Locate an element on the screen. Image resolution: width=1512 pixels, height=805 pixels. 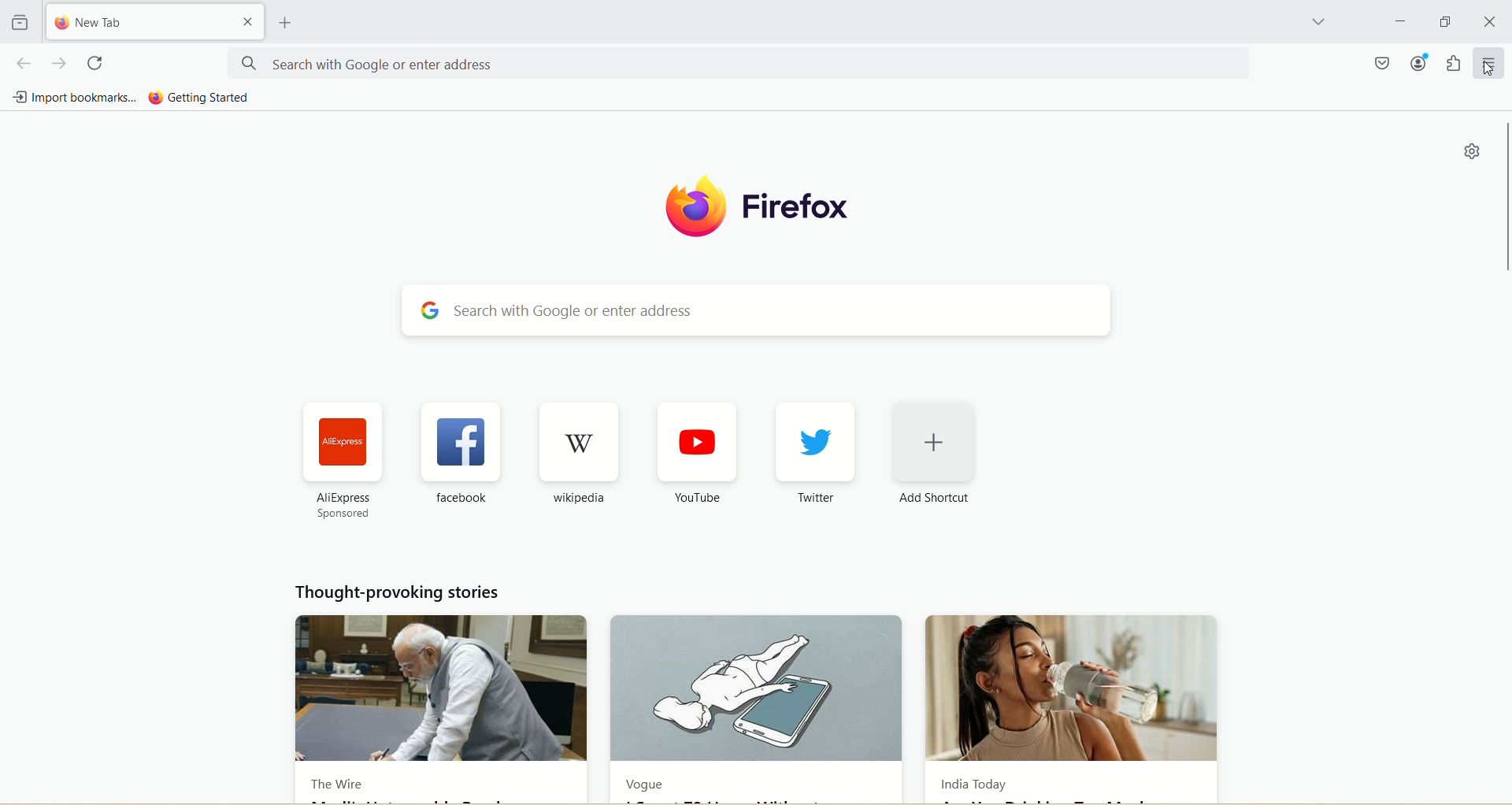
reload current page is located at coordinates (98, 63).